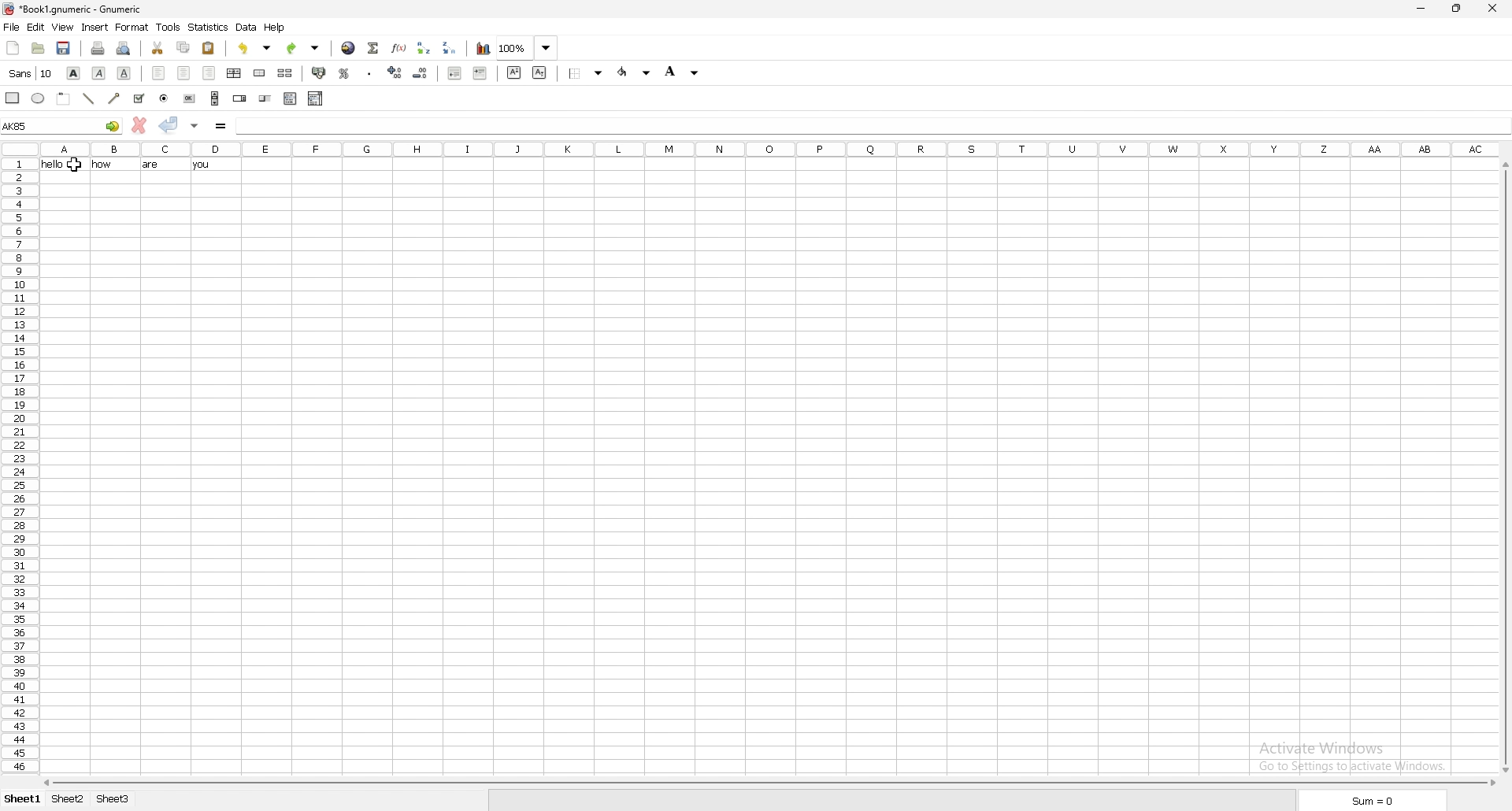  What do you see at coordinates (209, 47) in the screenshot?
I see `paste` at bounding box center [209, 47].